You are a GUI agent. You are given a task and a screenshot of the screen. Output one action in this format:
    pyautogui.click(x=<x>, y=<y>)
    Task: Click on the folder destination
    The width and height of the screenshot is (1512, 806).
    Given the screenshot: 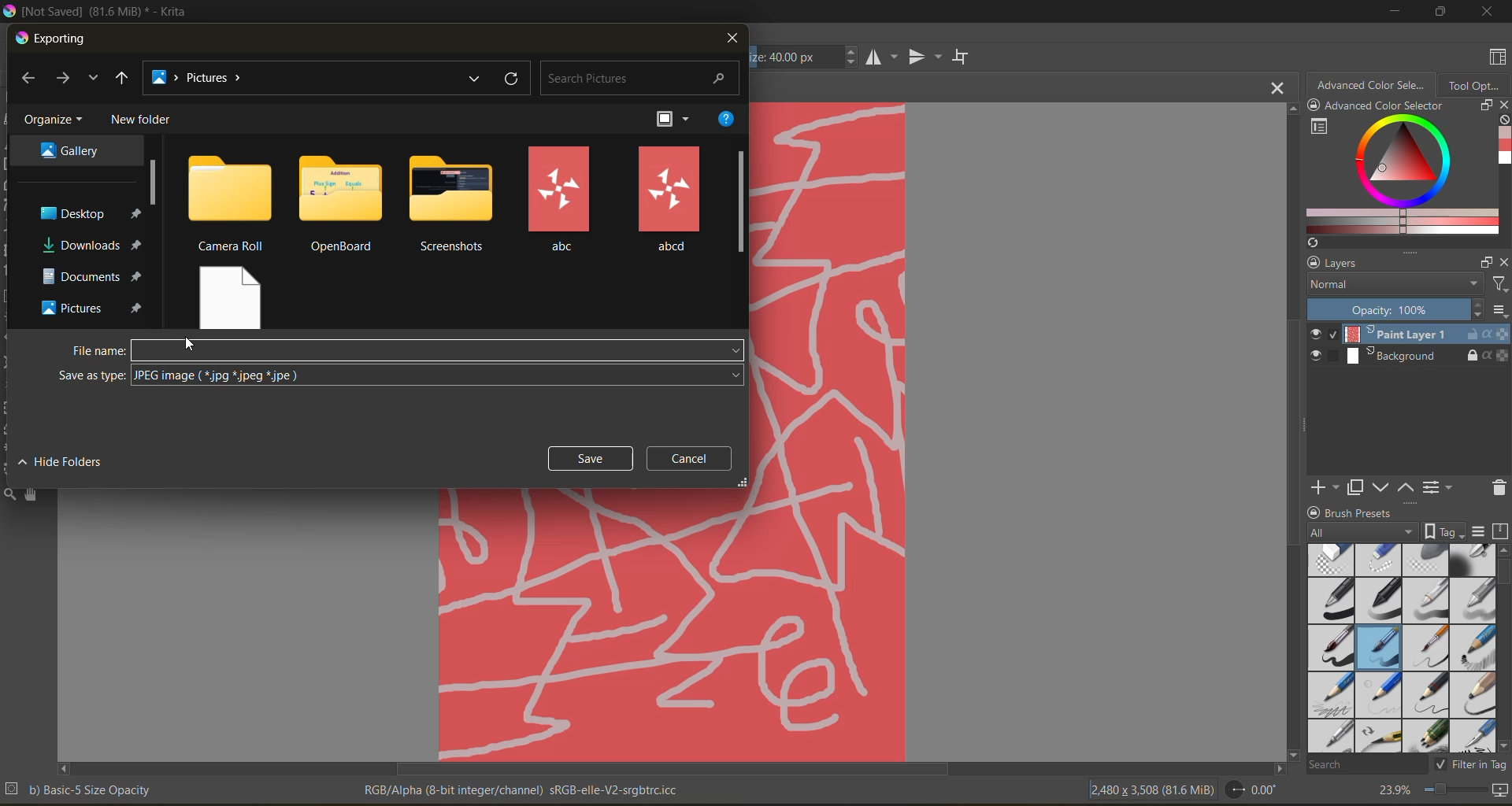 What is the action you would take?
    pyautogui.click(x=94, y=308)
    